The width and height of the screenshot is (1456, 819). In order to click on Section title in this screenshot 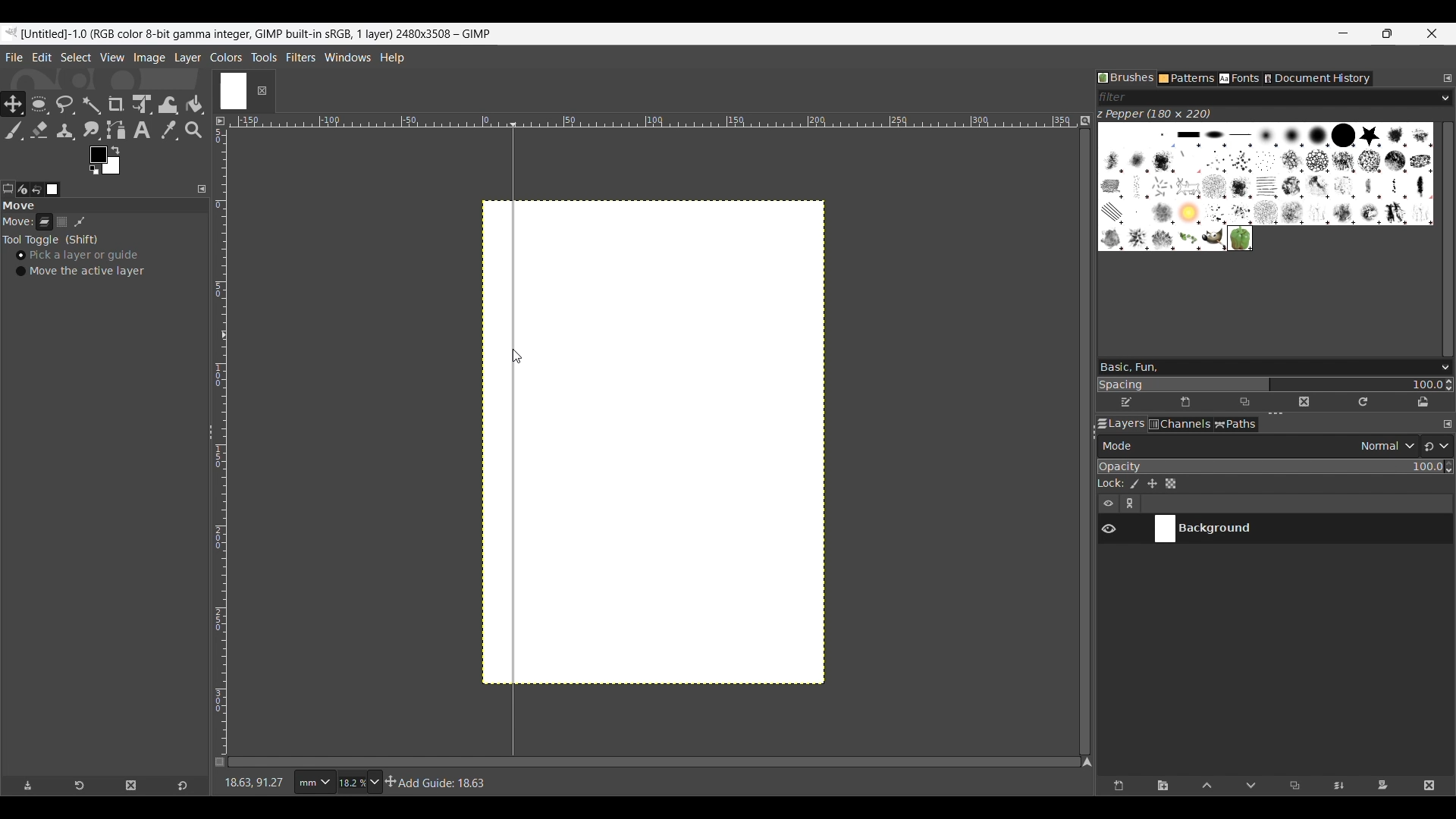, I will do `click(102, 209)`.